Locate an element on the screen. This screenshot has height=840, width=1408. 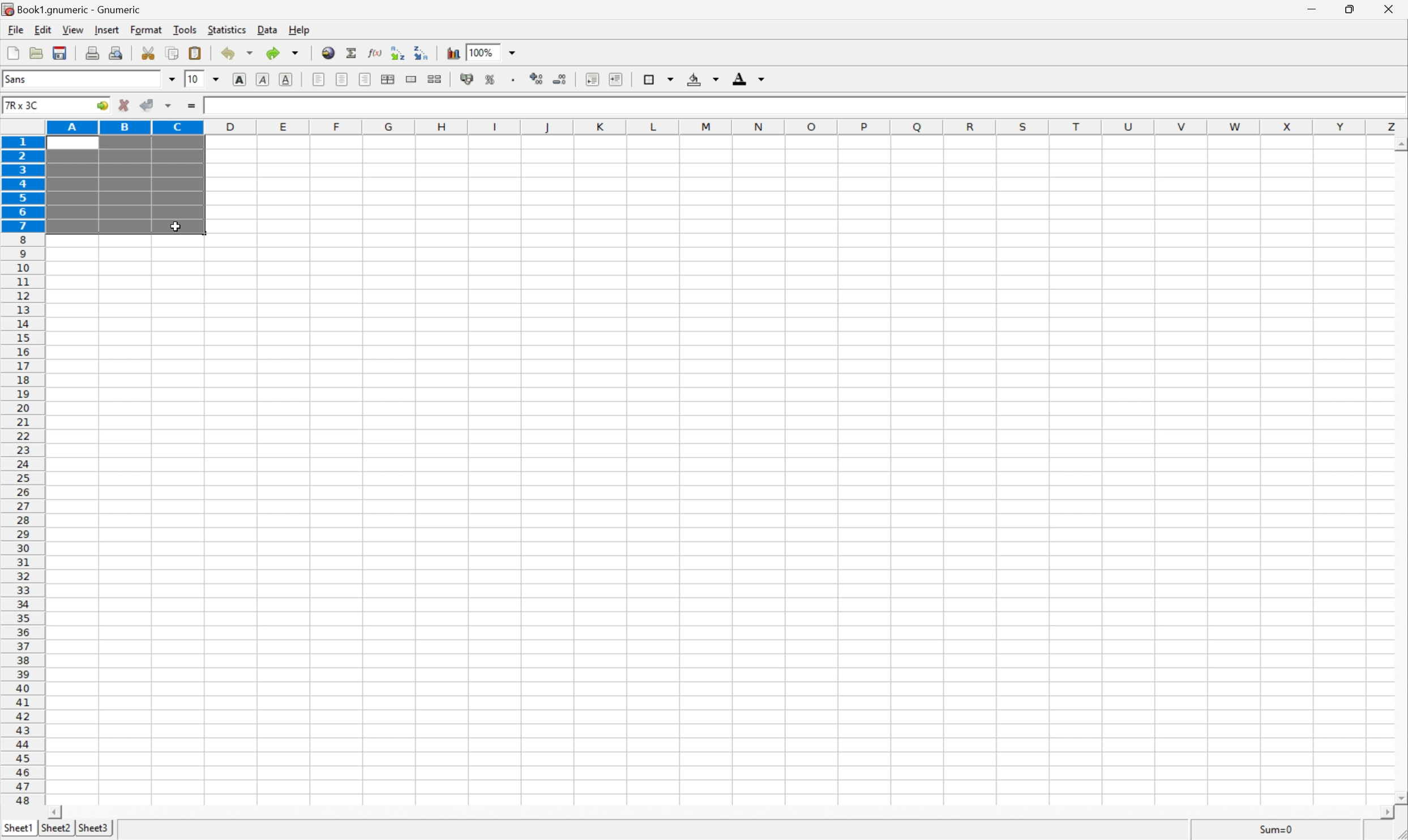
edit function in current cell is located at coordinates (375, 52).